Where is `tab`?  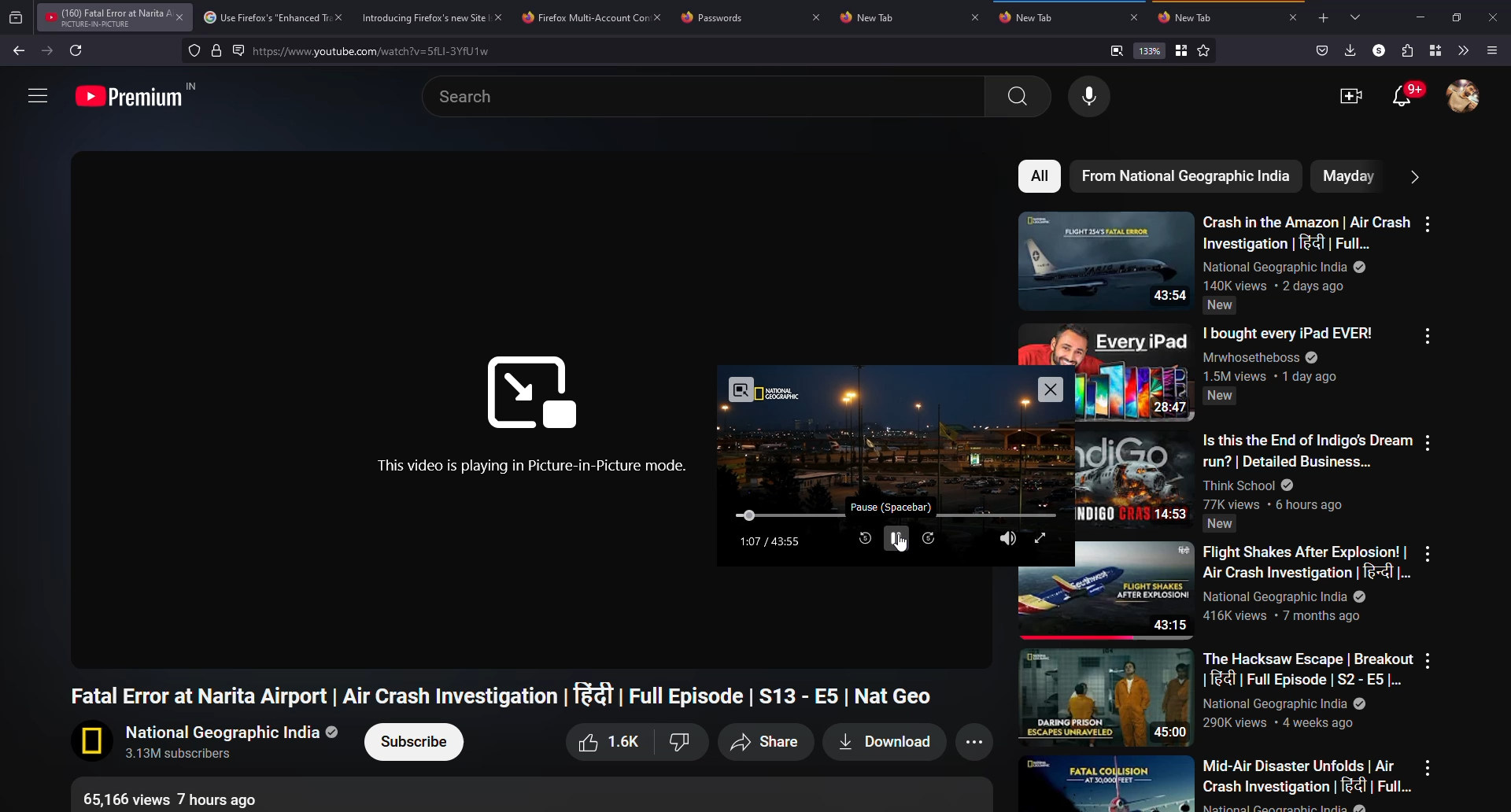
tab is located at coordinates (875, 18).